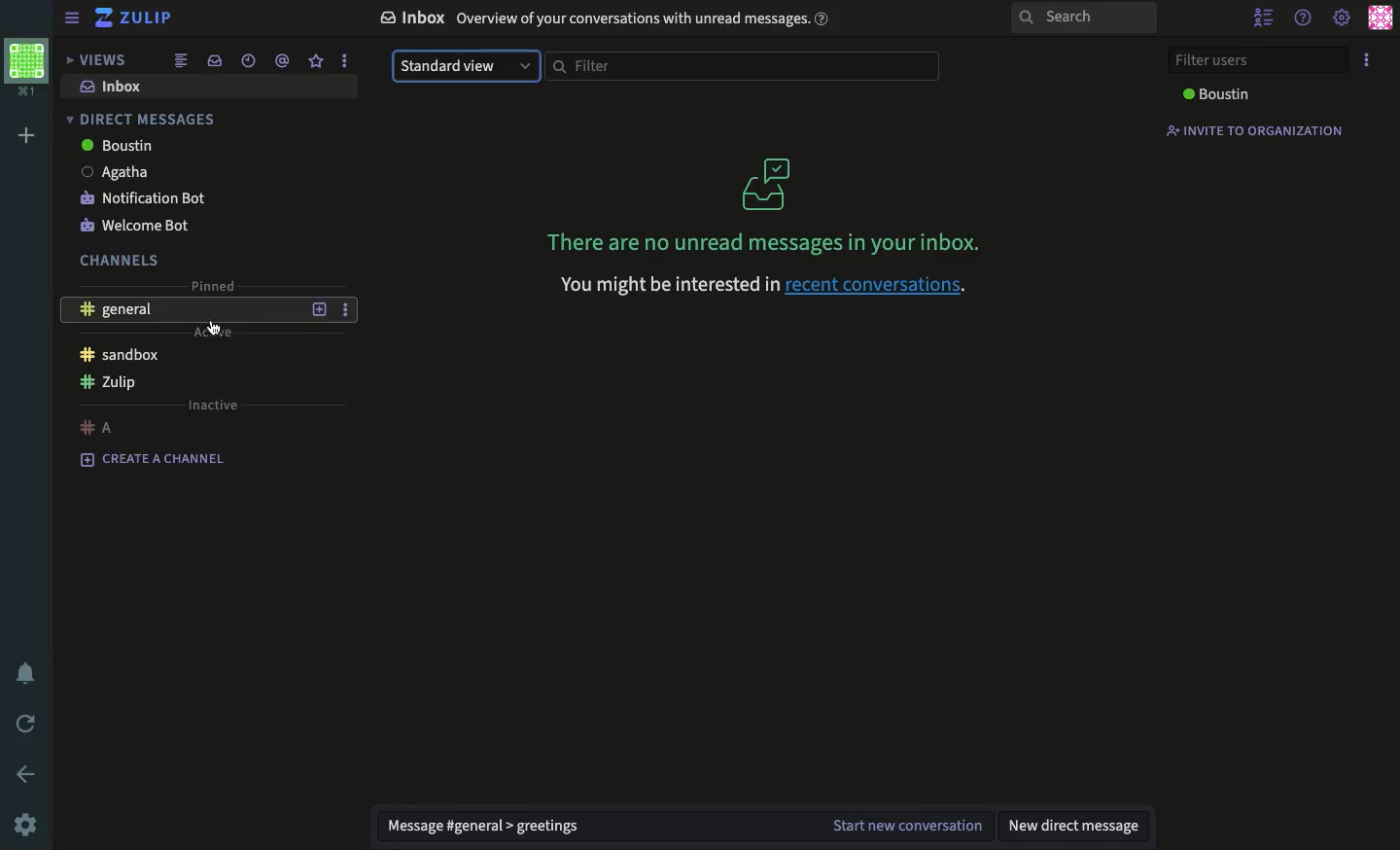  What do you see at coordinates (759, 284) in the screenshot?
I see `You might be interested in recent conversations.` at bounding box center [759, 284].